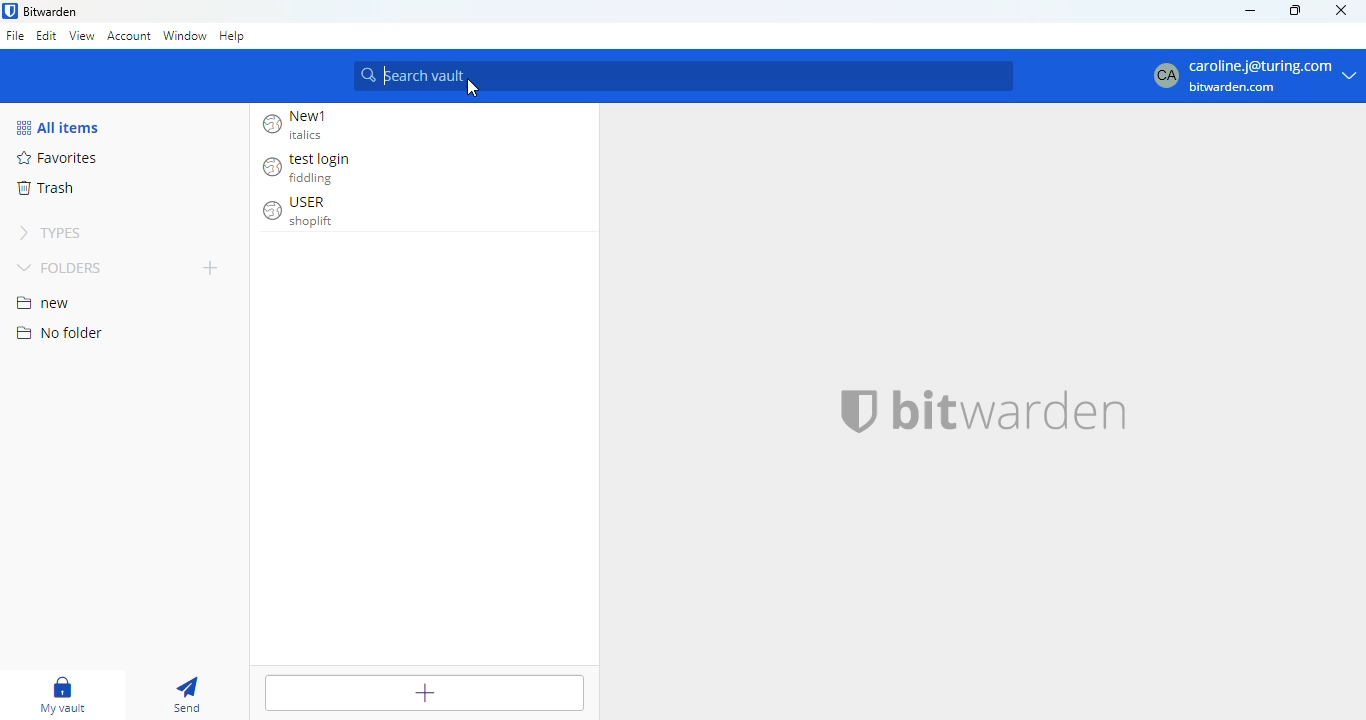 Image resolution: width=1366 pixels, height=720 pixels. I want to click on test login   fiddling, so click(313, 168).